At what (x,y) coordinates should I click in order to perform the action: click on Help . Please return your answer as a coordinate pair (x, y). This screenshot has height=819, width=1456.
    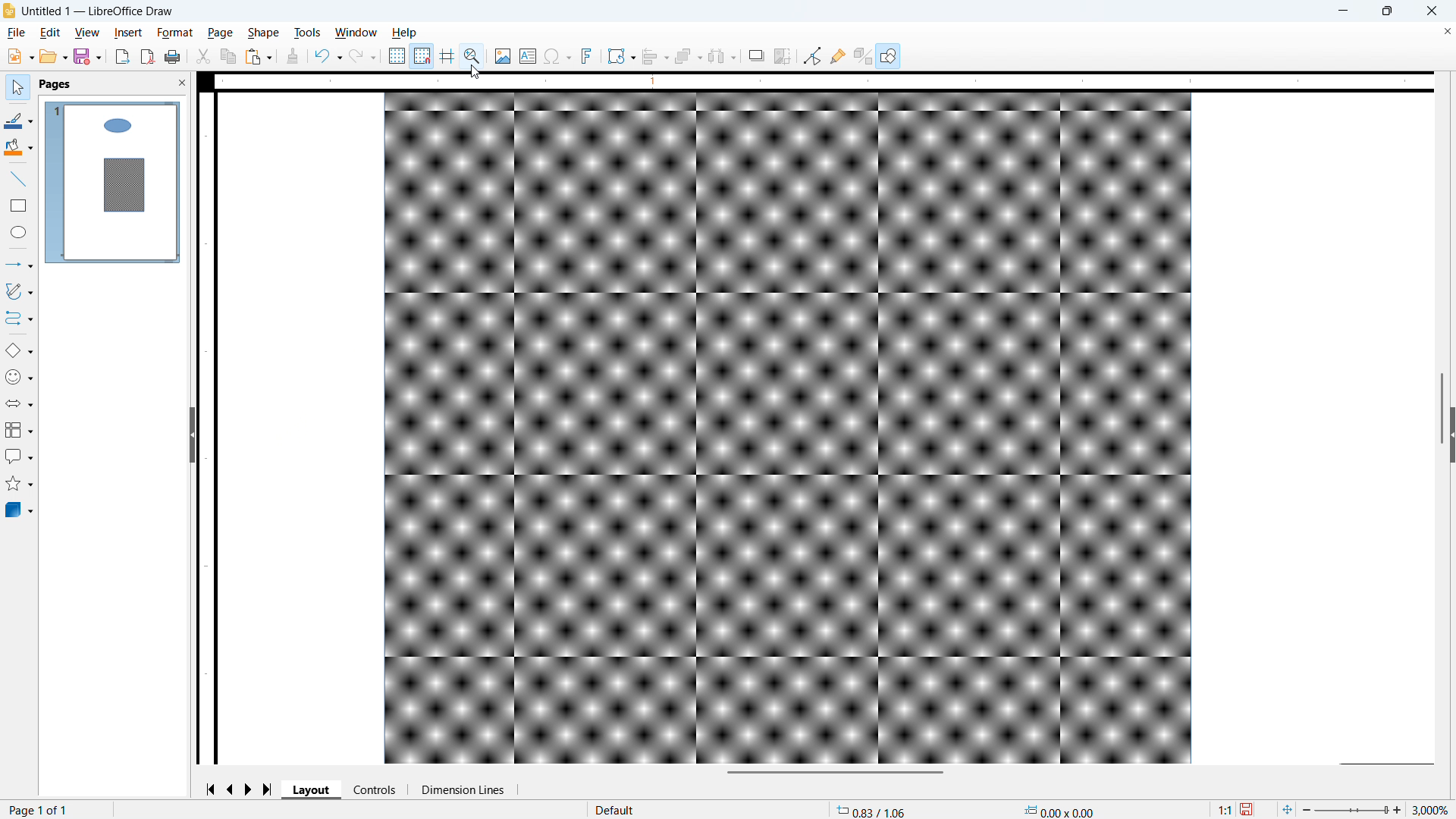
    Looking at the image, I should click on (405, 33).